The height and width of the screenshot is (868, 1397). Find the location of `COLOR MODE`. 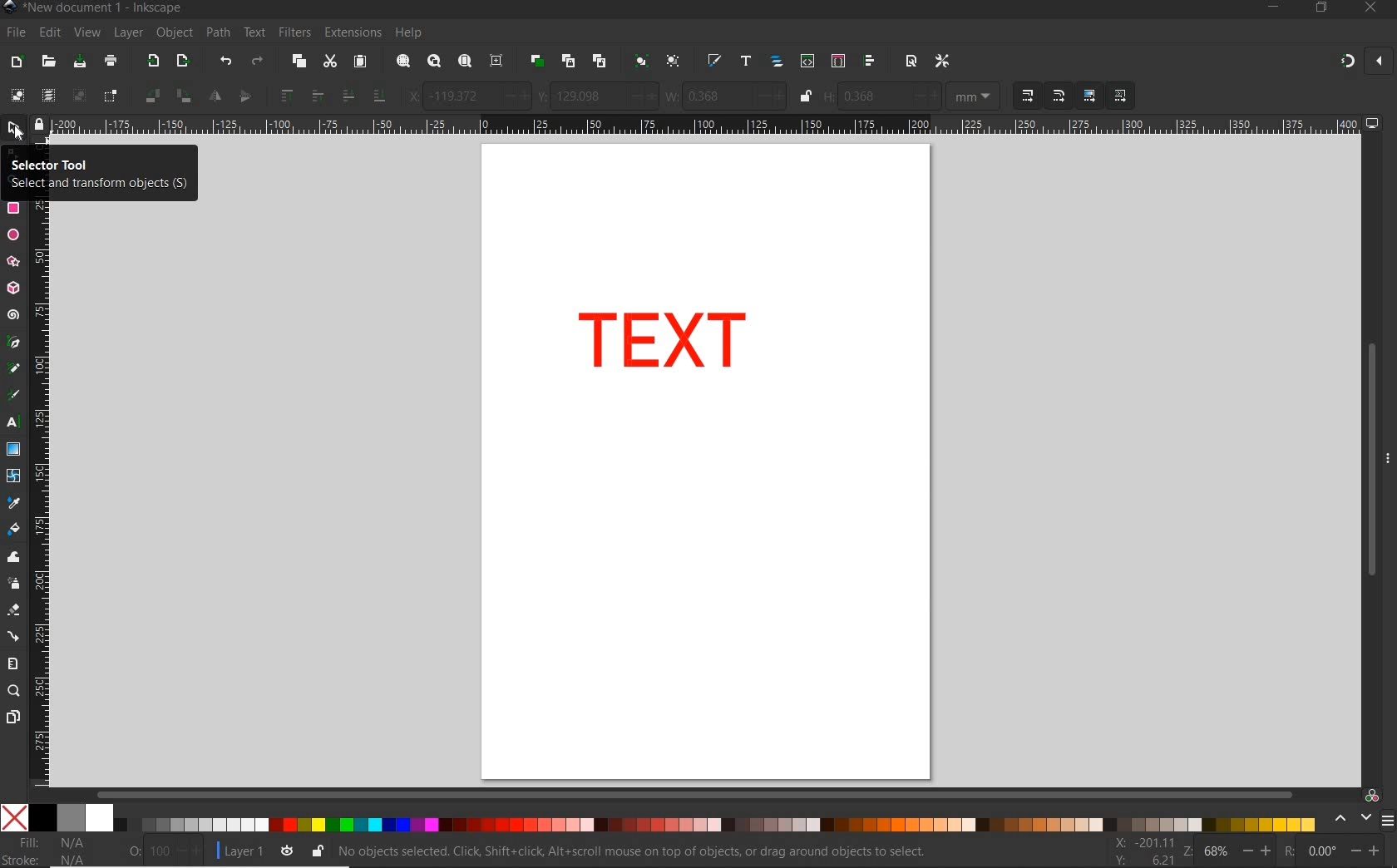

COLOR MODE is located at coordinates (658, 817).